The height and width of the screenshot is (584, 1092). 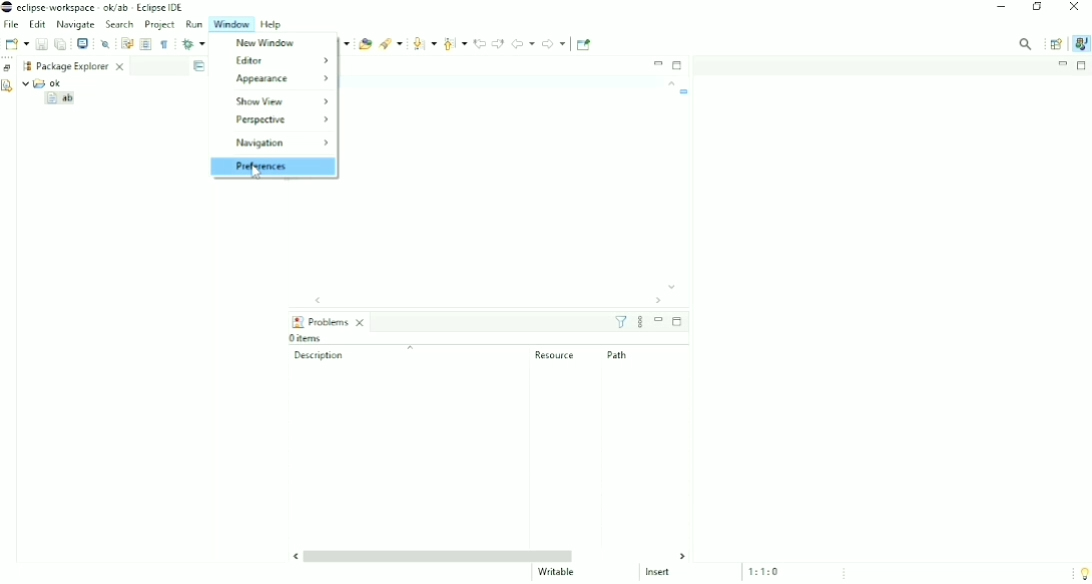 I want to click on Filters, so click(x=621, y=322).